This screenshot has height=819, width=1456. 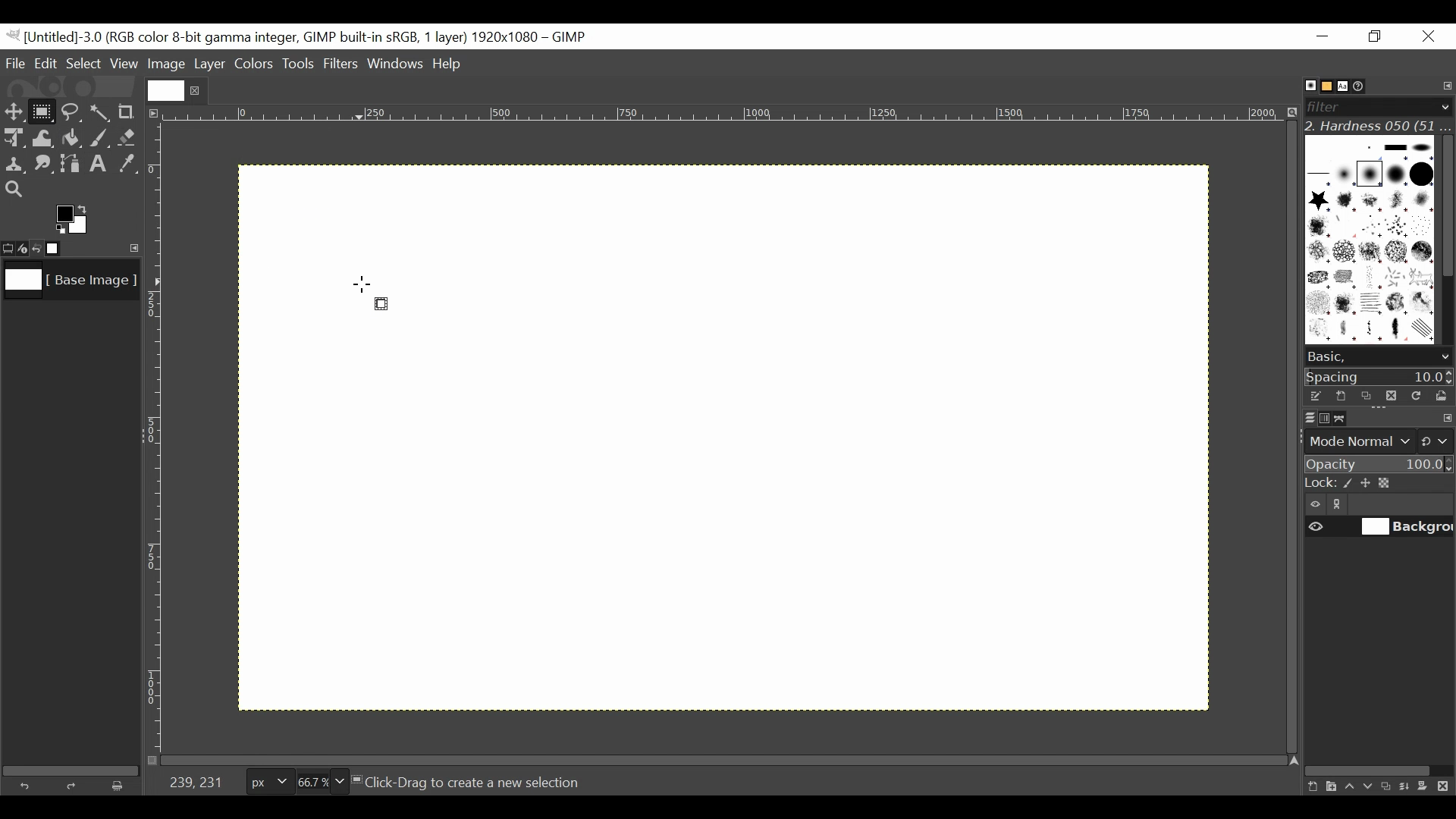 I want to click on Rectangle Select Tool, so click(x=42, y=111).